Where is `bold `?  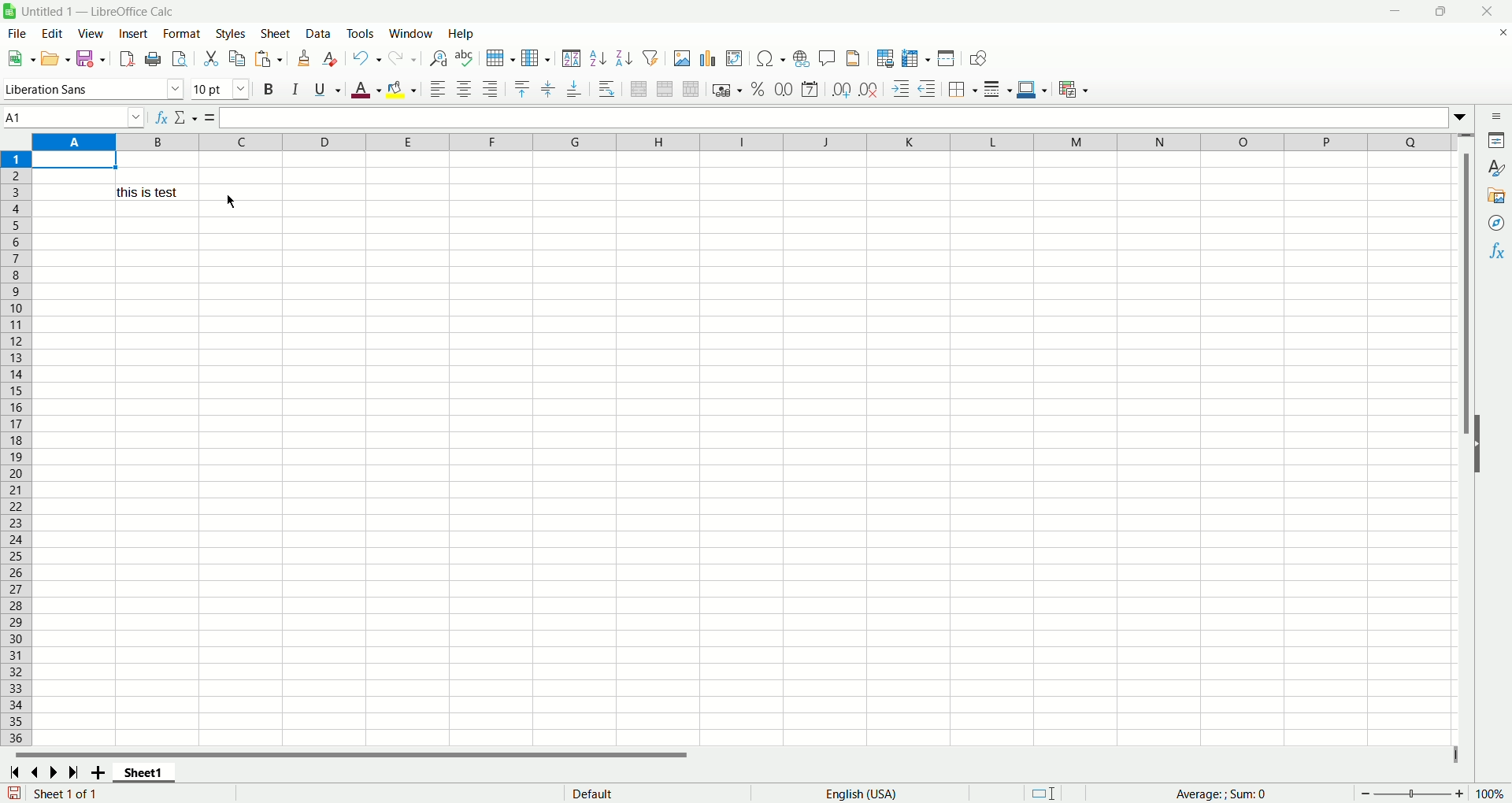 bold  is located at coordinates (271, 88).